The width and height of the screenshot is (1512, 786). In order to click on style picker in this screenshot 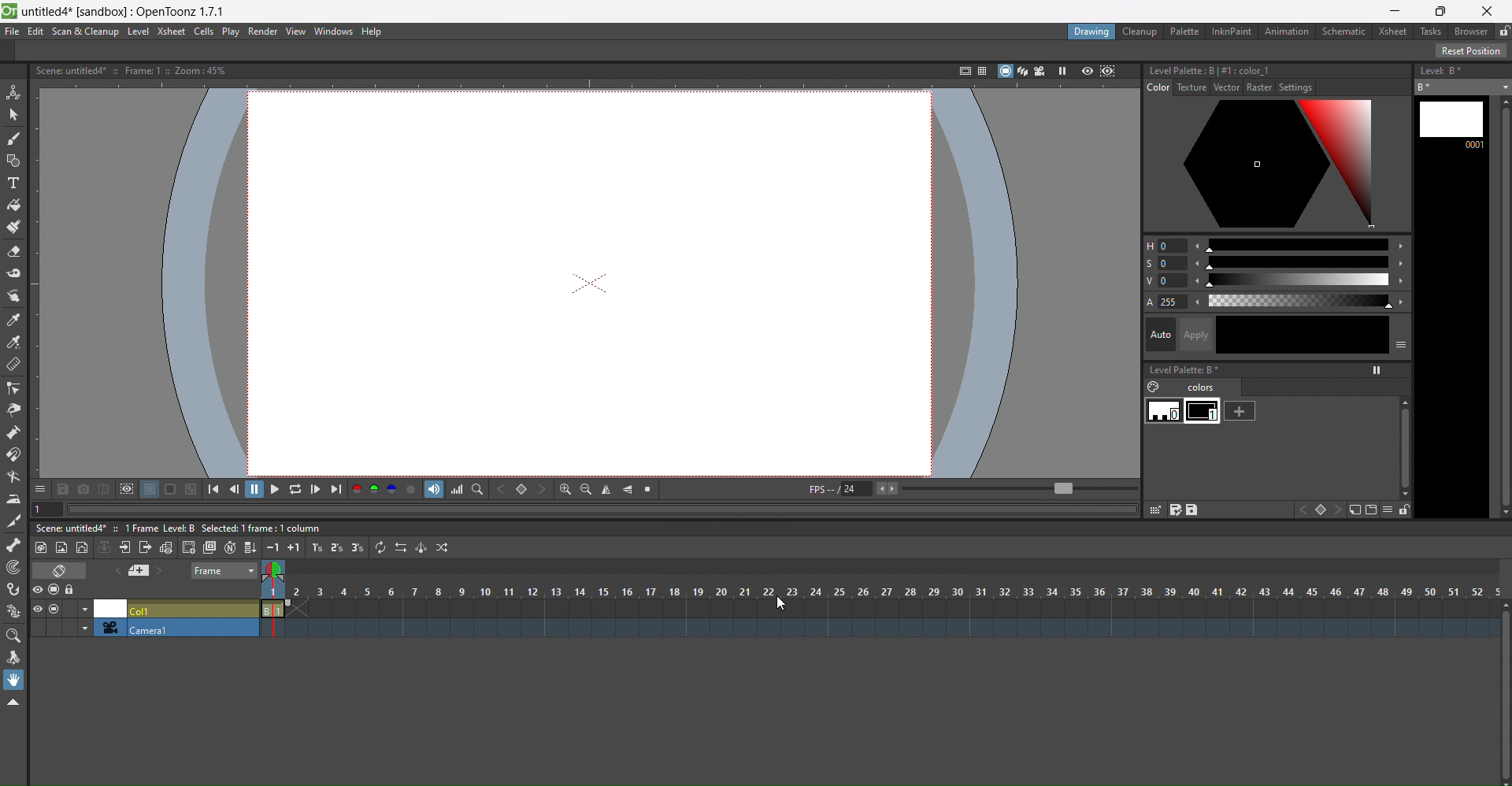, I will do `click(15, 321)`.